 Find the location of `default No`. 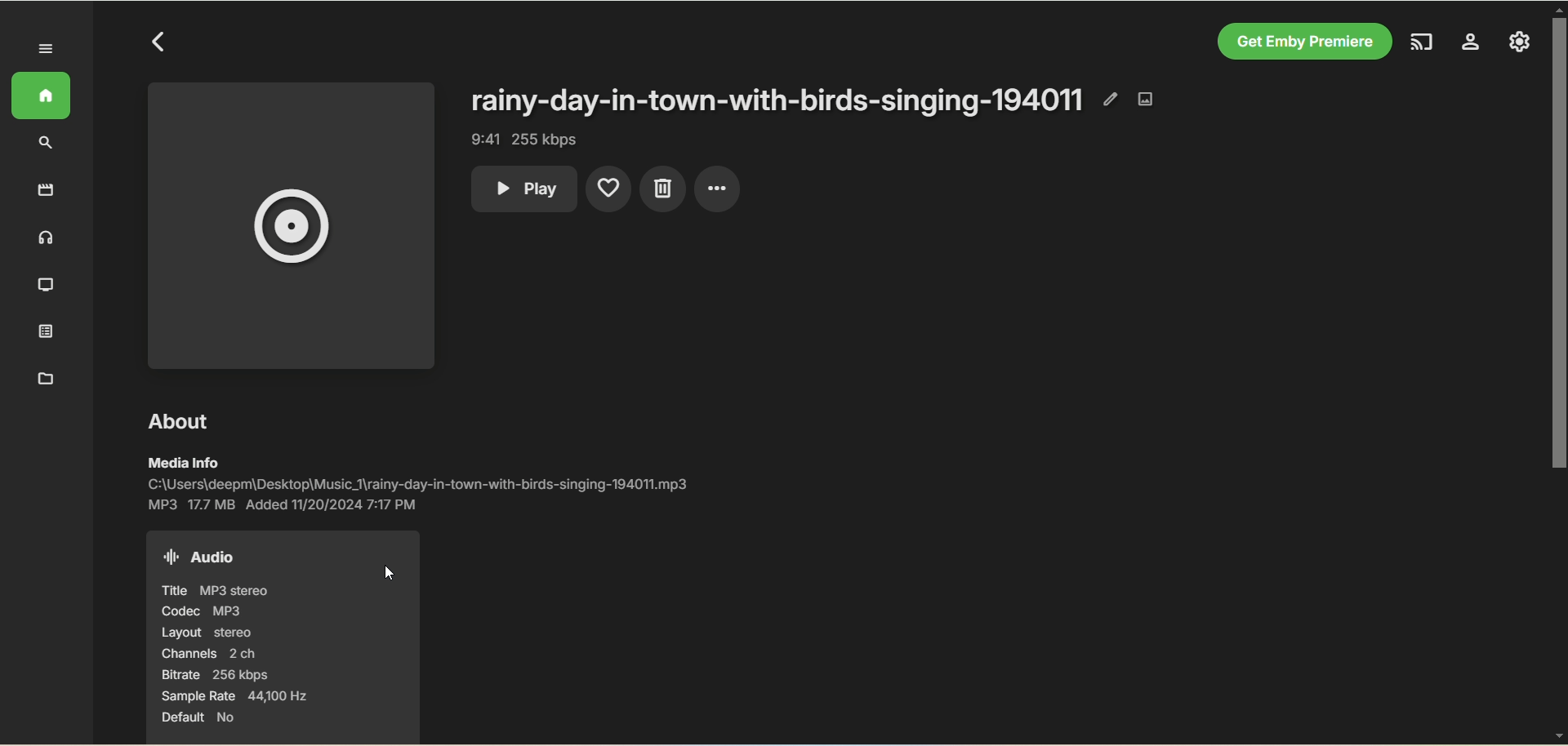

default No is located at coordinates (208, 718).